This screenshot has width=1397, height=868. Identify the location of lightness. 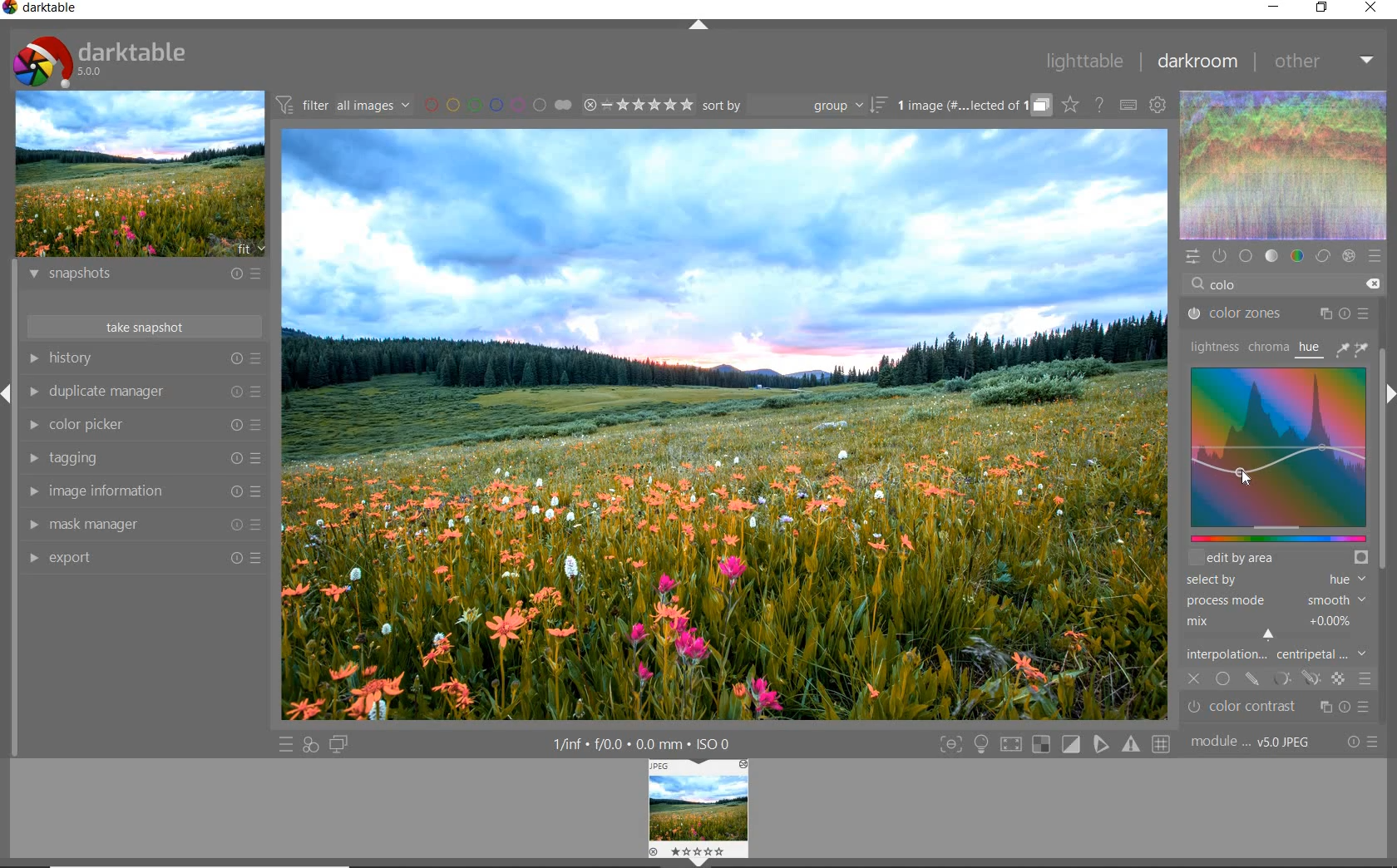
(1214, 346).